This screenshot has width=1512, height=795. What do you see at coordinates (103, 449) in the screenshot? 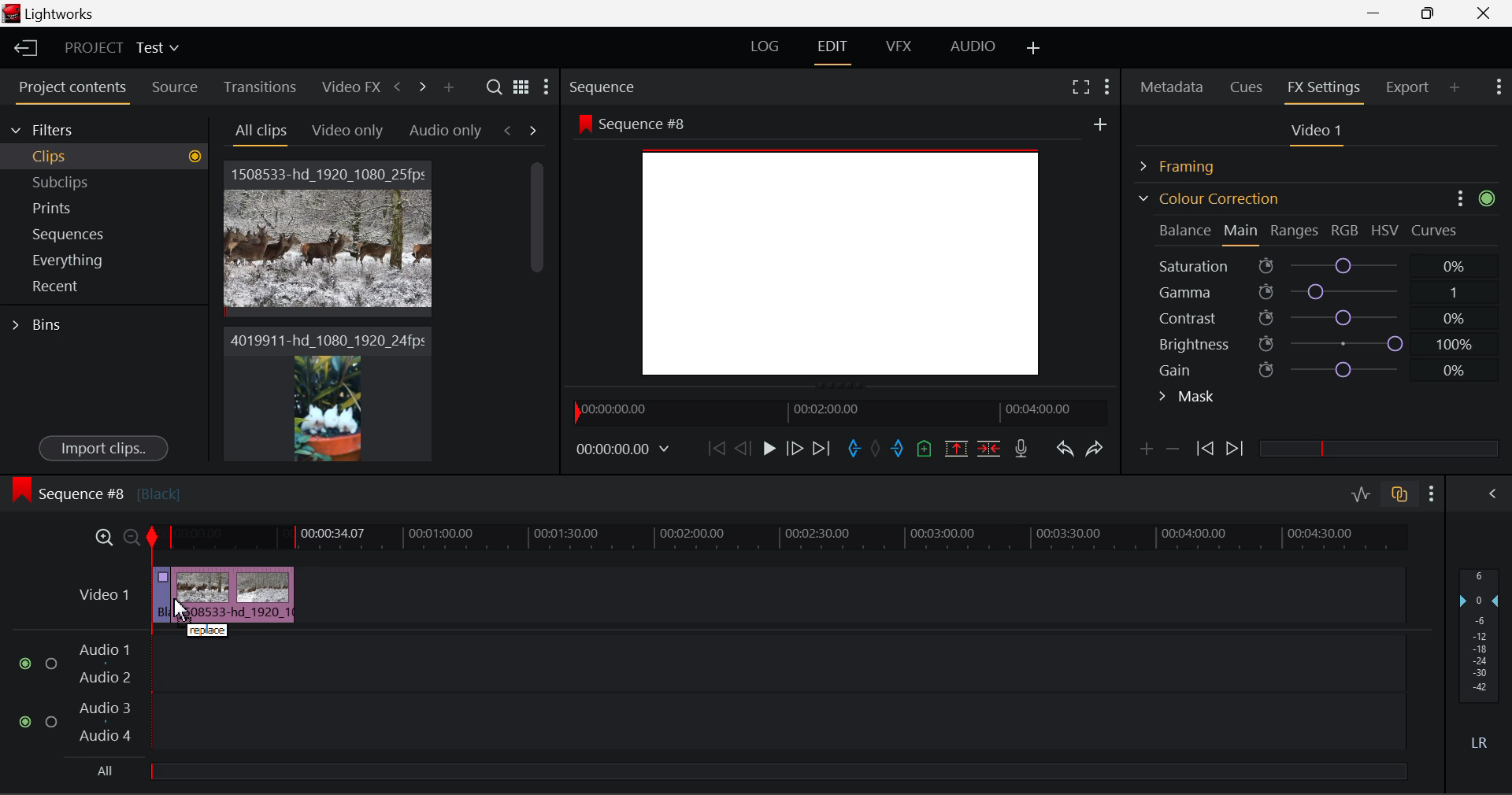
I see `Import clips` at bounding box center [103, 449].